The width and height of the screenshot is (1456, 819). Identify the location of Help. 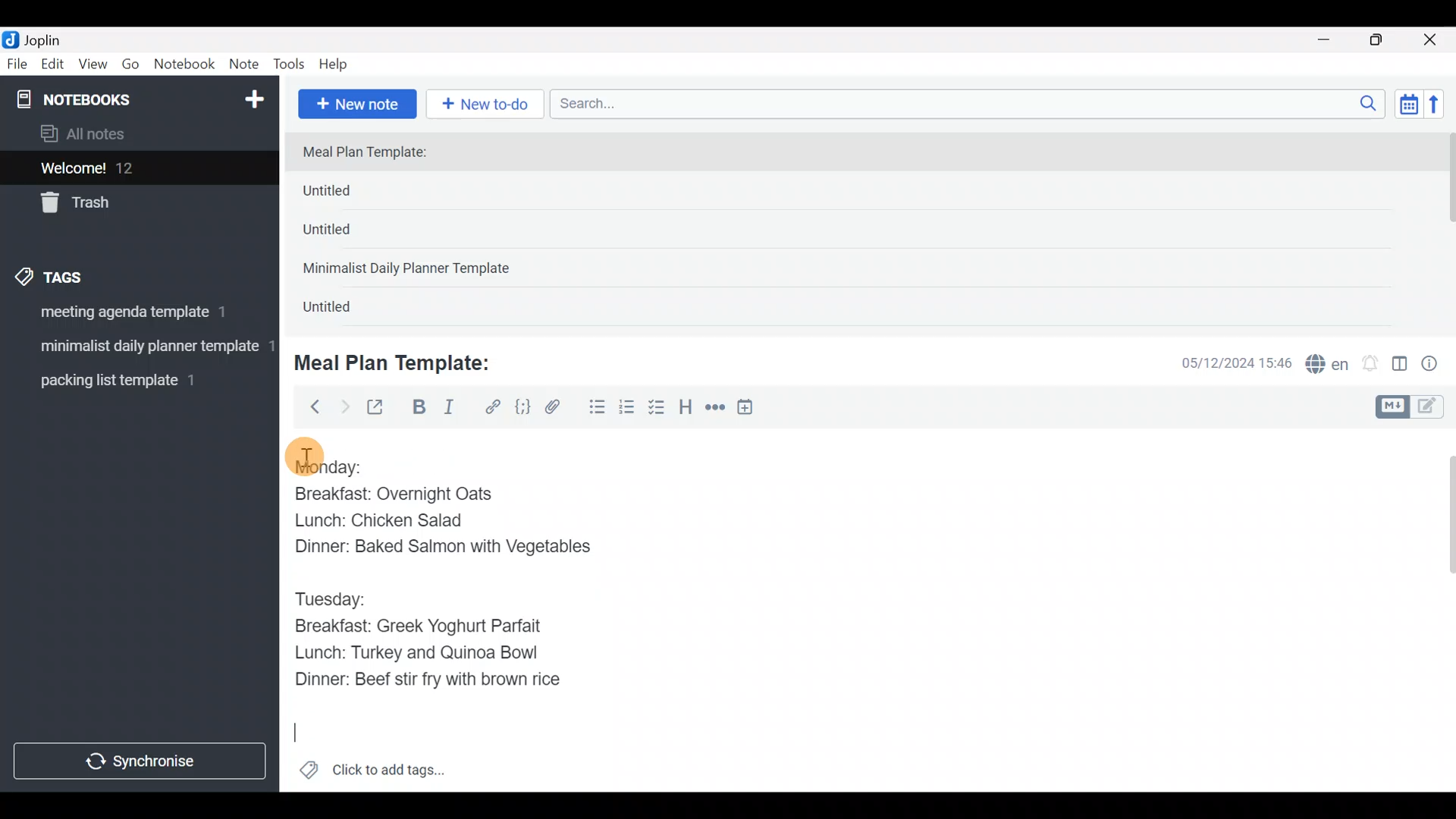
(339, 61).